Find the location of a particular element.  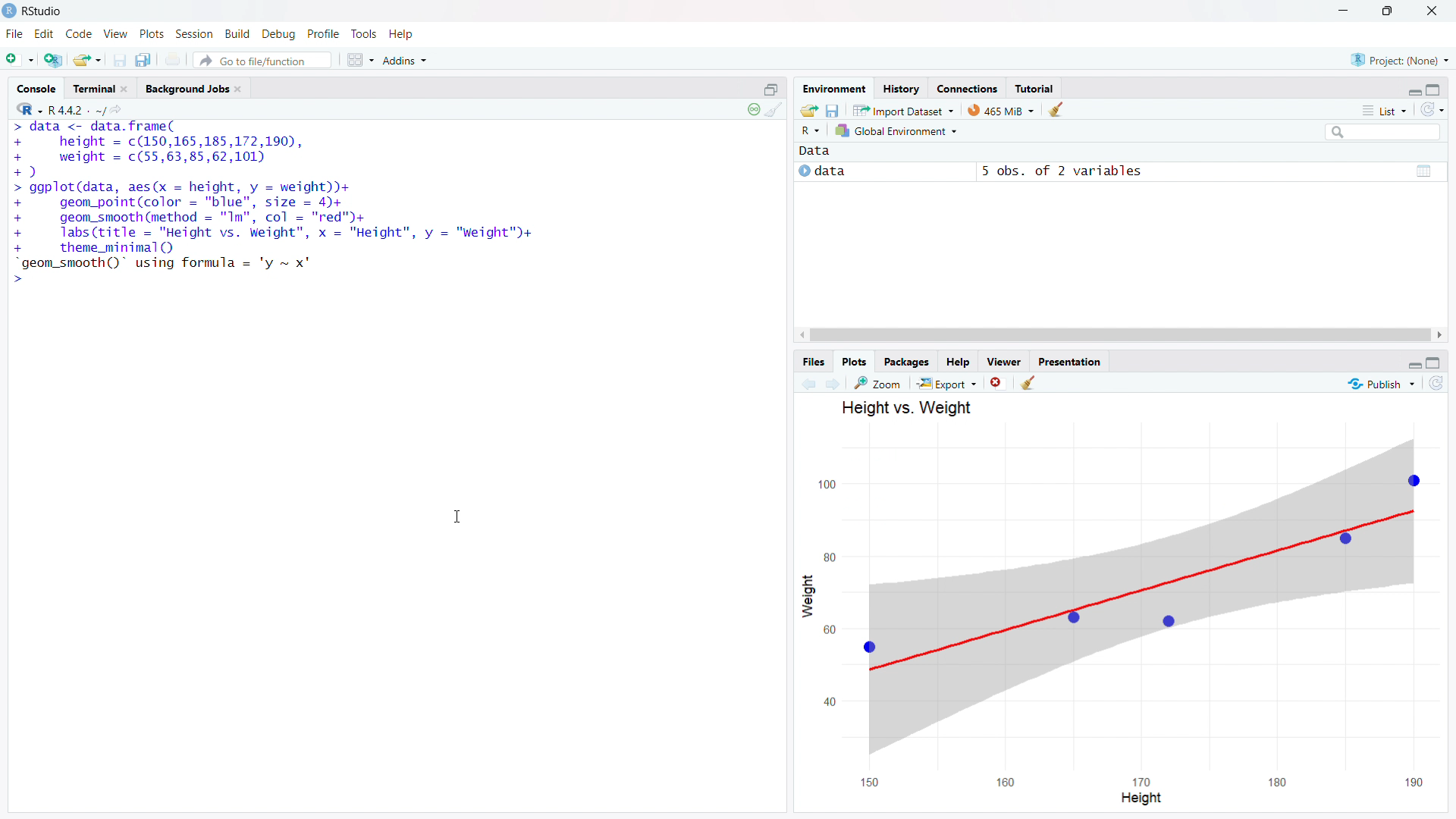

viewer is located at coordinates (1004, 362).